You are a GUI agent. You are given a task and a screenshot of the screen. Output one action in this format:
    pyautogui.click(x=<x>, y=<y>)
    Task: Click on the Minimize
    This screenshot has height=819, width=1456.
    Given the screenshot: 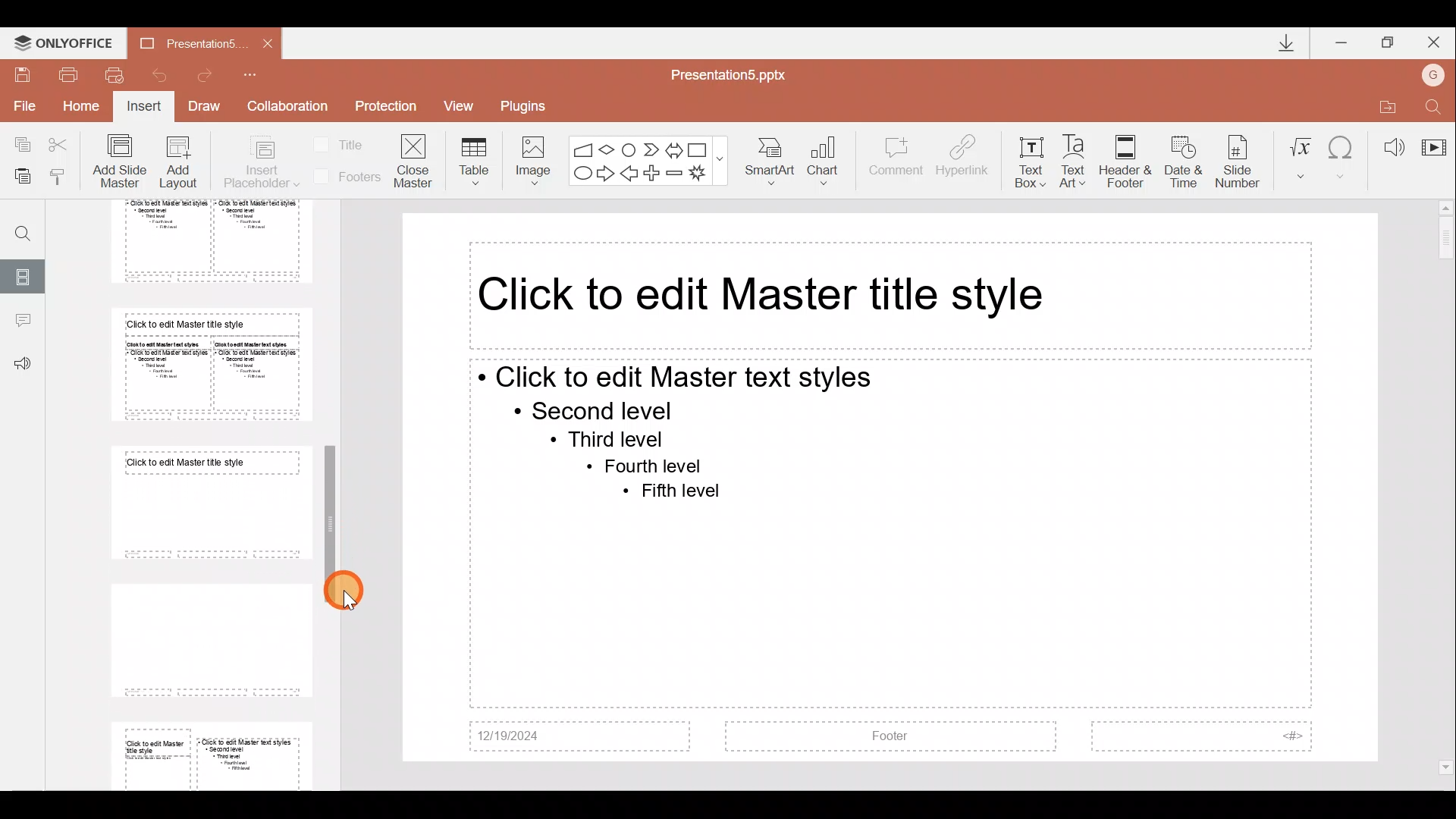 What is the action you would take?
    pyautogui.click(x=1342, y=39)
    